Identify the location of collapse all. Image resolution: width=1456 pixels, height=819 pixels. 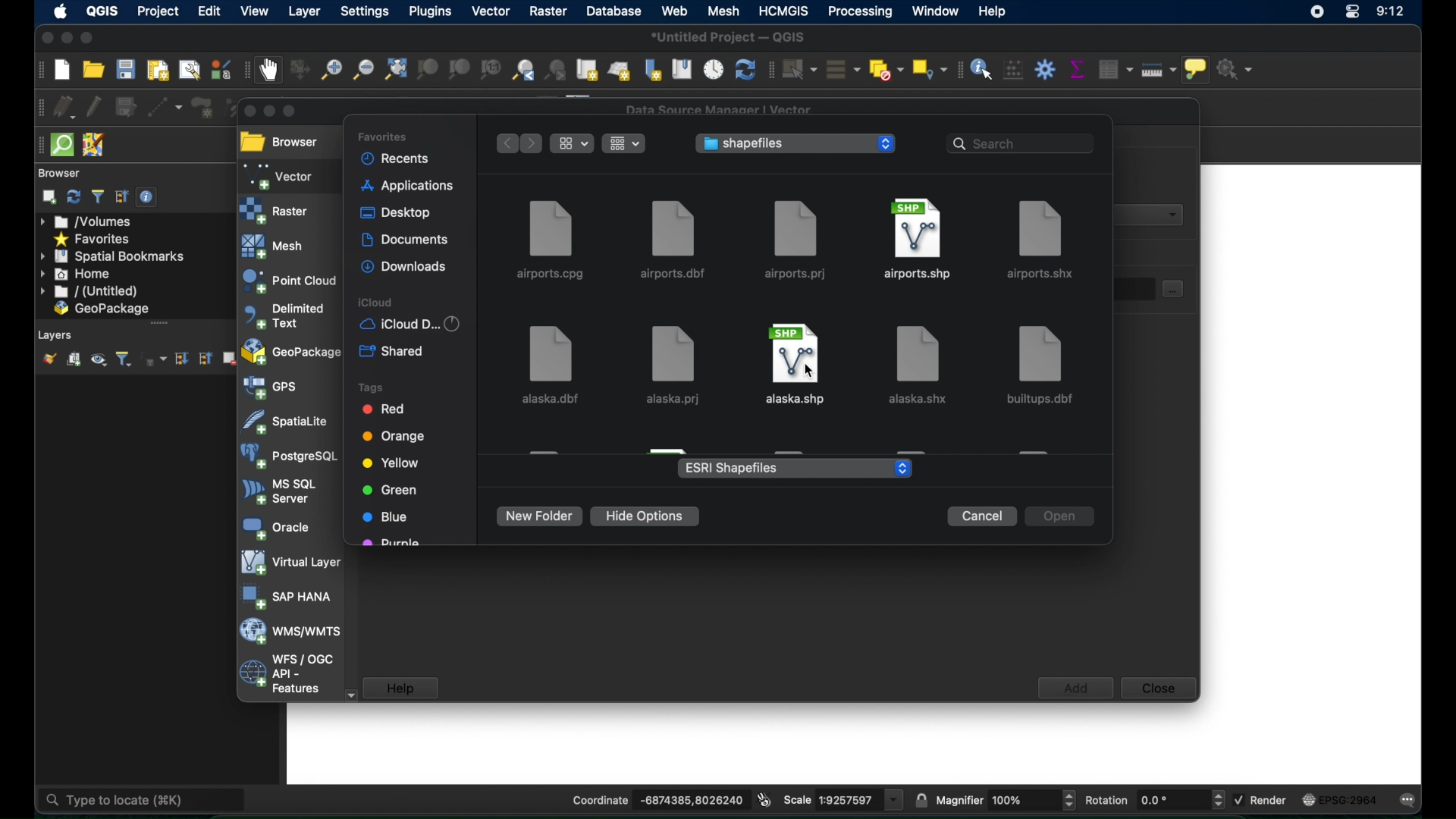
(206, 360).